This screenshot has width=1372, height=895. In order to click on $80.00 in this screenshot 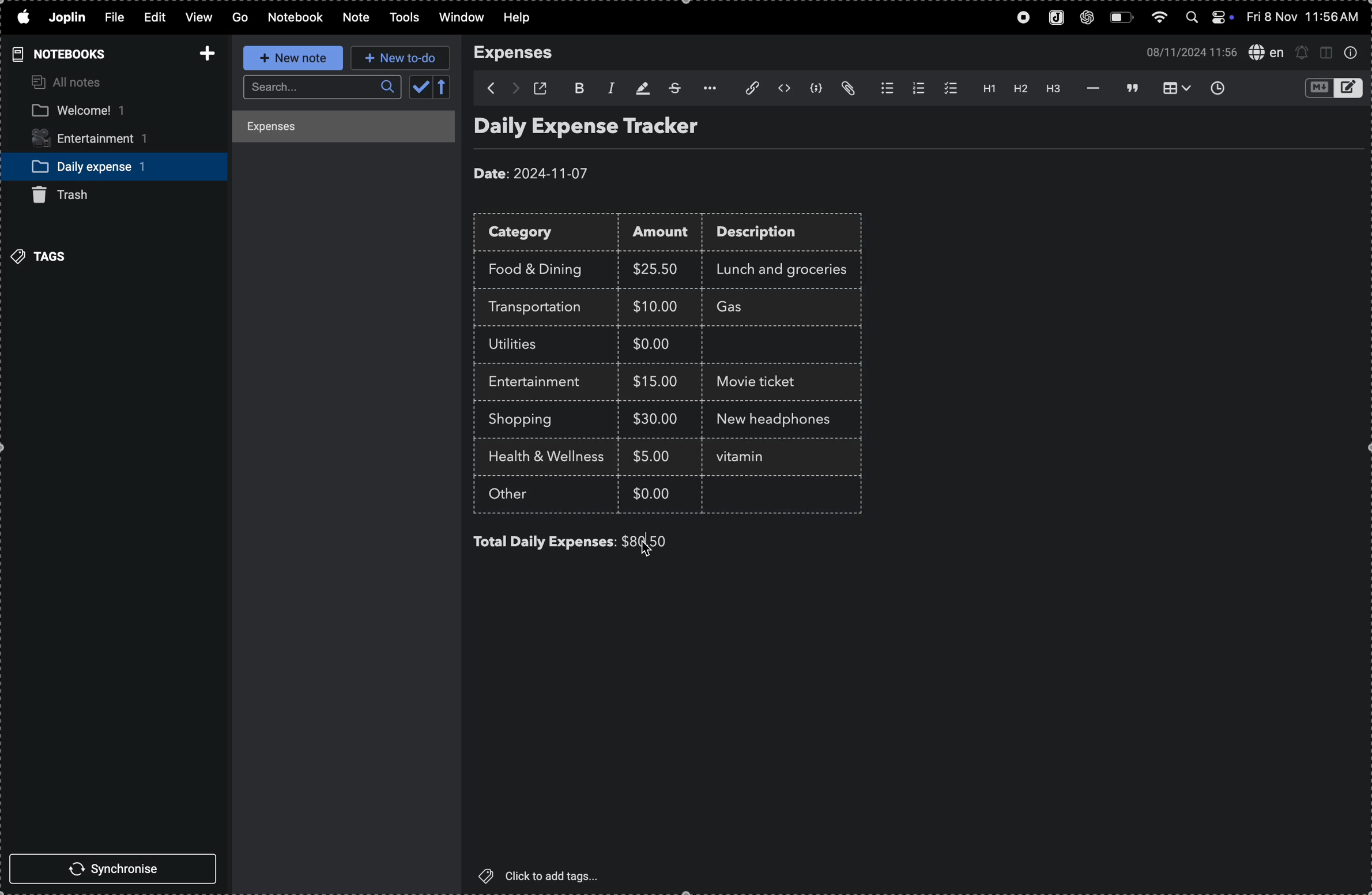, I will do `click(664, 541)`.